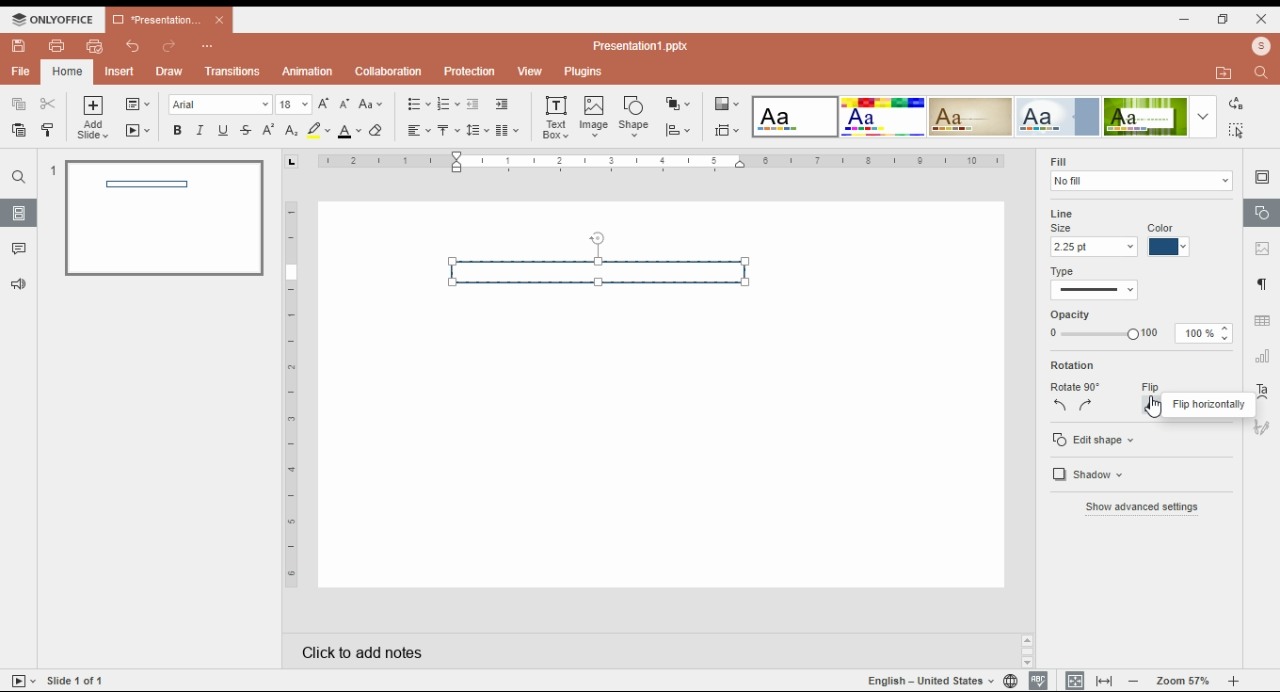  Describe the element at coordinates (325, 102) in the screenshot. I see `increment font size` at that location.